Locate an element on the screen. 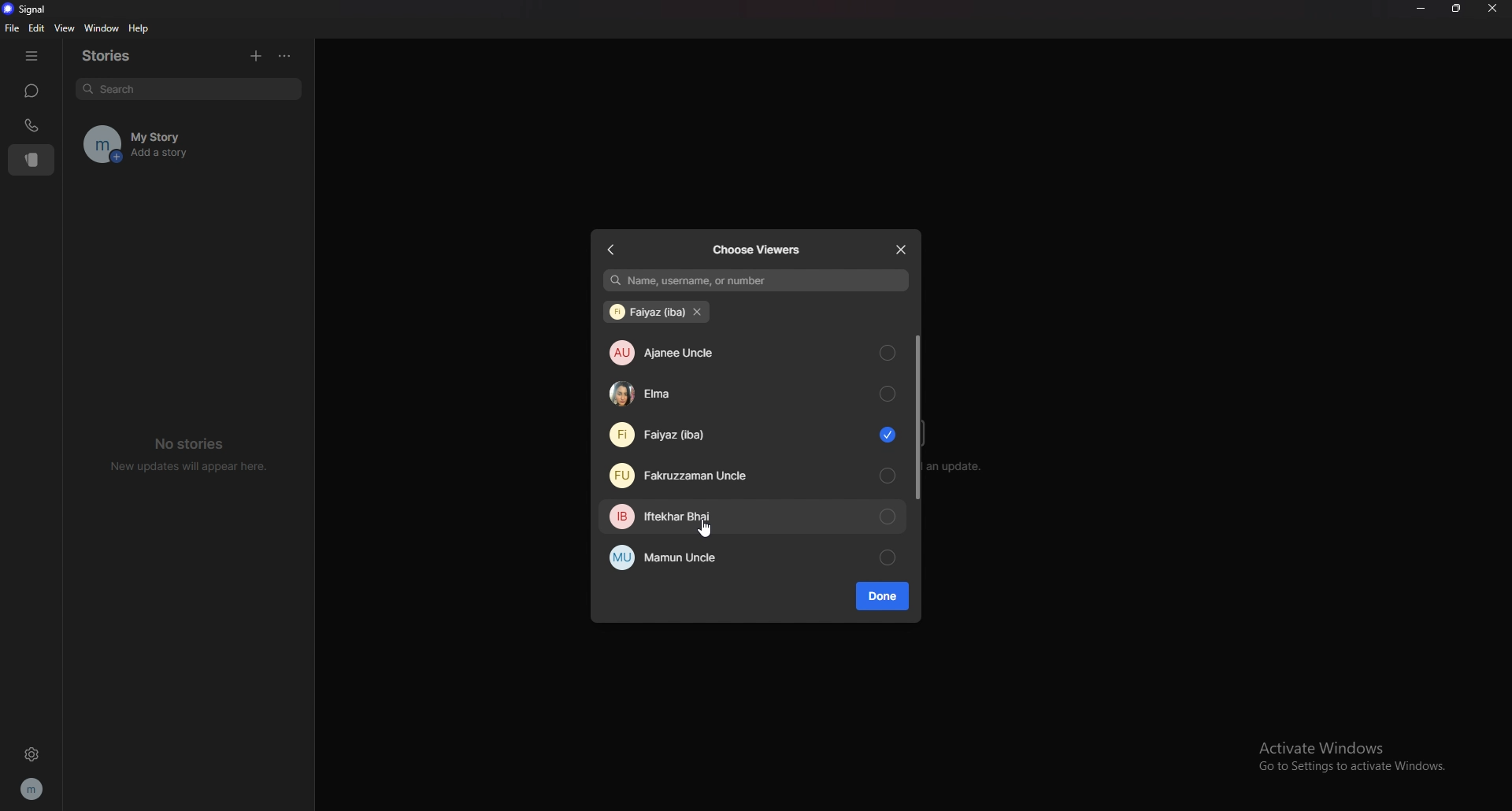 The image size is (1512, 811). close is located at coordinates (1492, 9).